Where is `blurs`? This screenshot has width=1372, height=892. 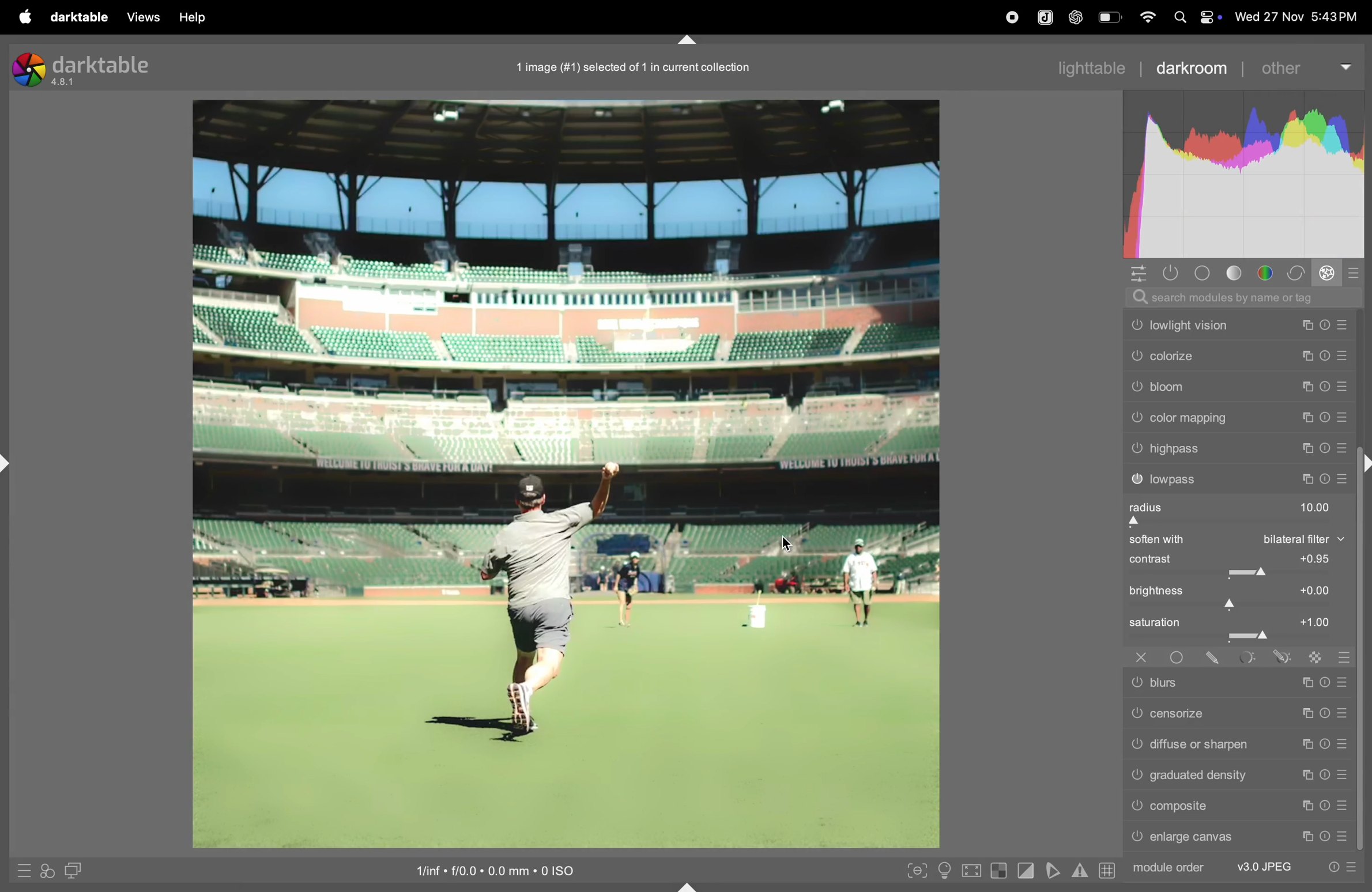 blurs is located at coordinates (1237, 684).